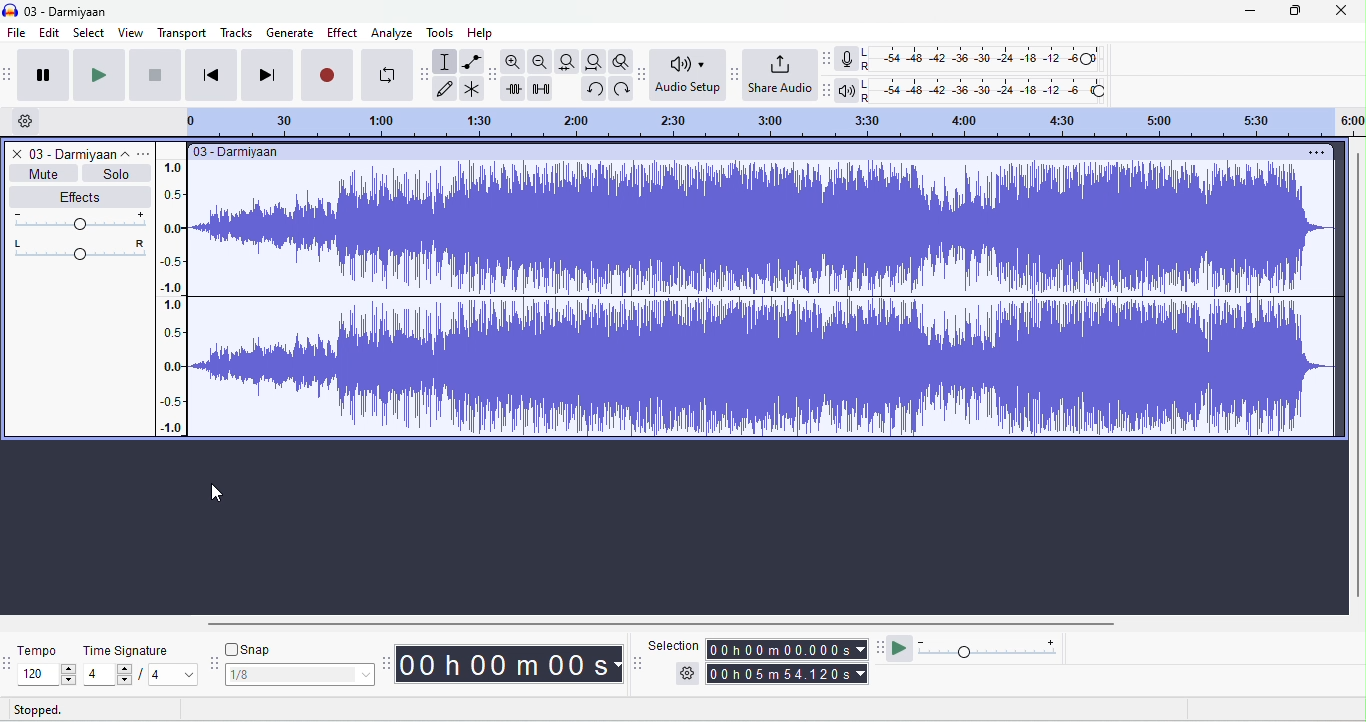  What do you see at coordinates (131, 32) in the screenshot?
I see `view` at bounding box center [131, 32].